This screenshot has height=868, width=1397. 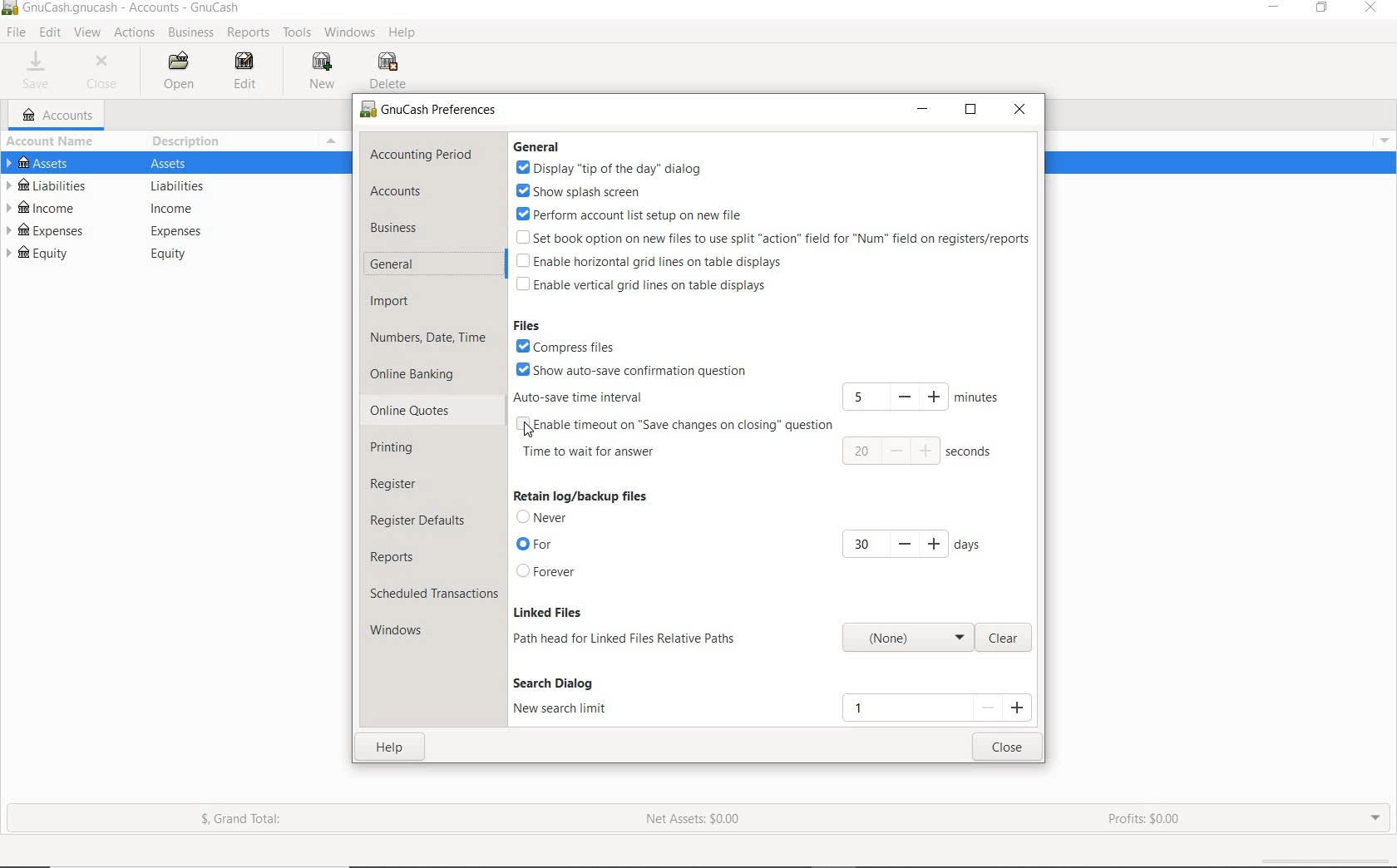 What do you see at coordinates (641, 285) in the screenshot?
I see `enable vertical grid lines` at bounding box center [641, 285].